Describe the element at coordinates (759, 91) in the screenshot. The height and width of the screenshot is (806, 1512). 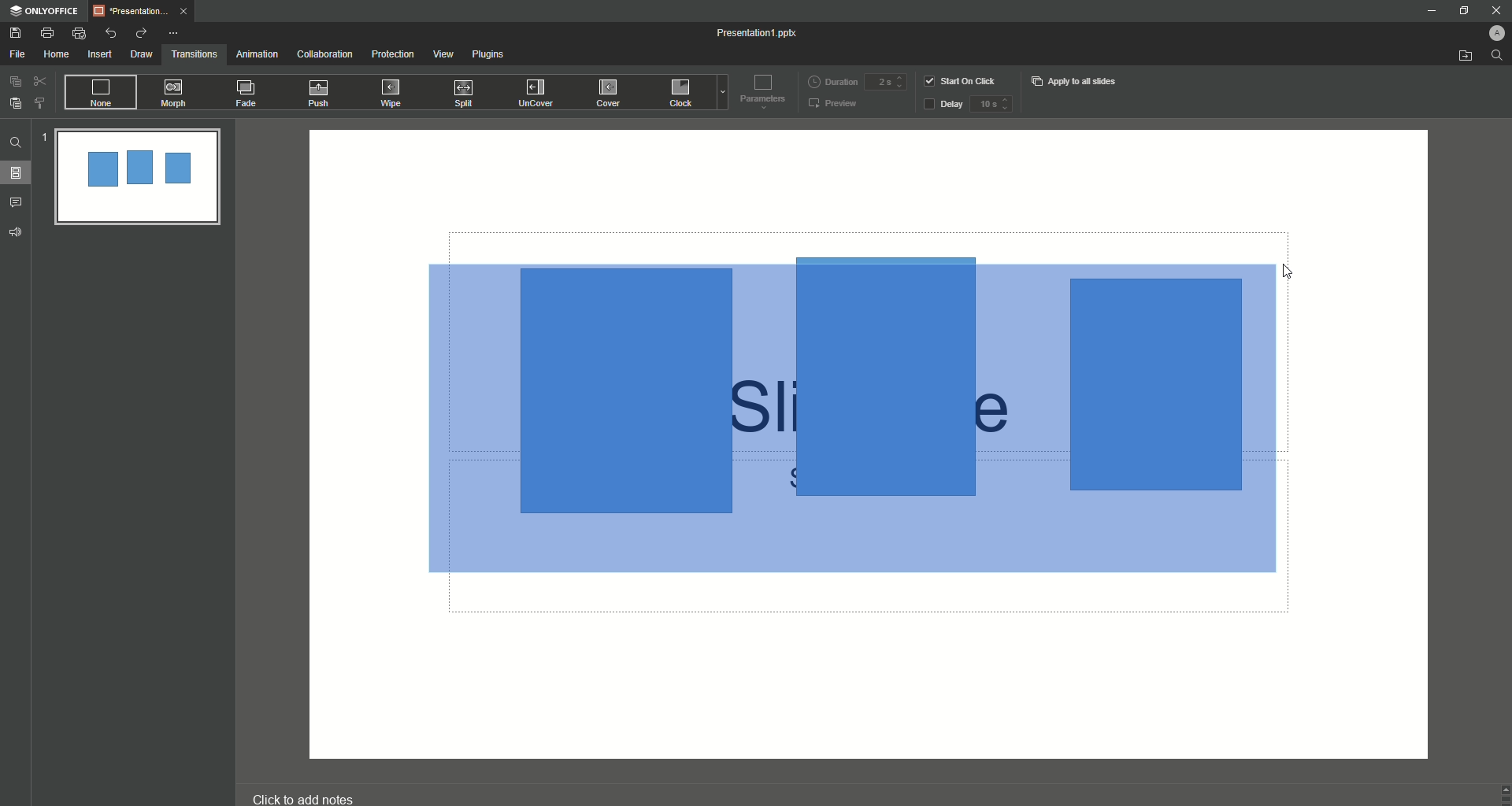
I see `Parameters` at that location.